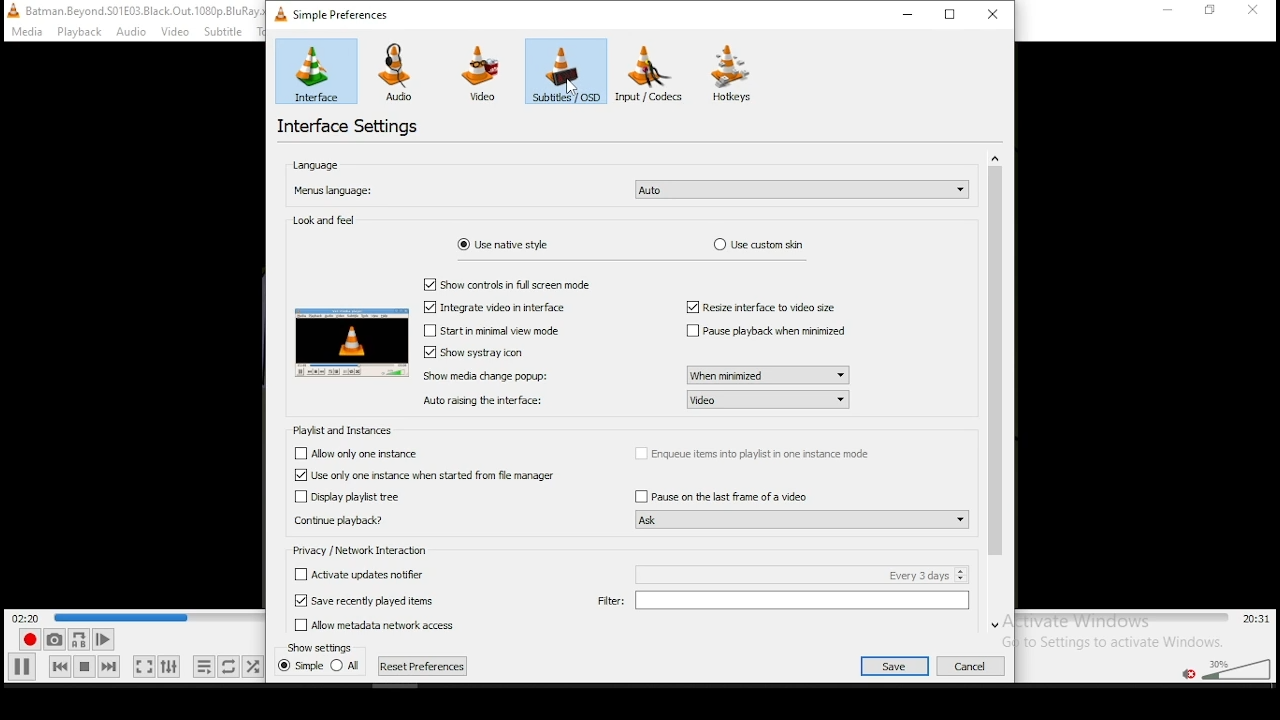 This screenshot has height=720, width=1280. Describe the element at coordinates (204, 666) in the screenshot. I see `toggle playlist` at that location.